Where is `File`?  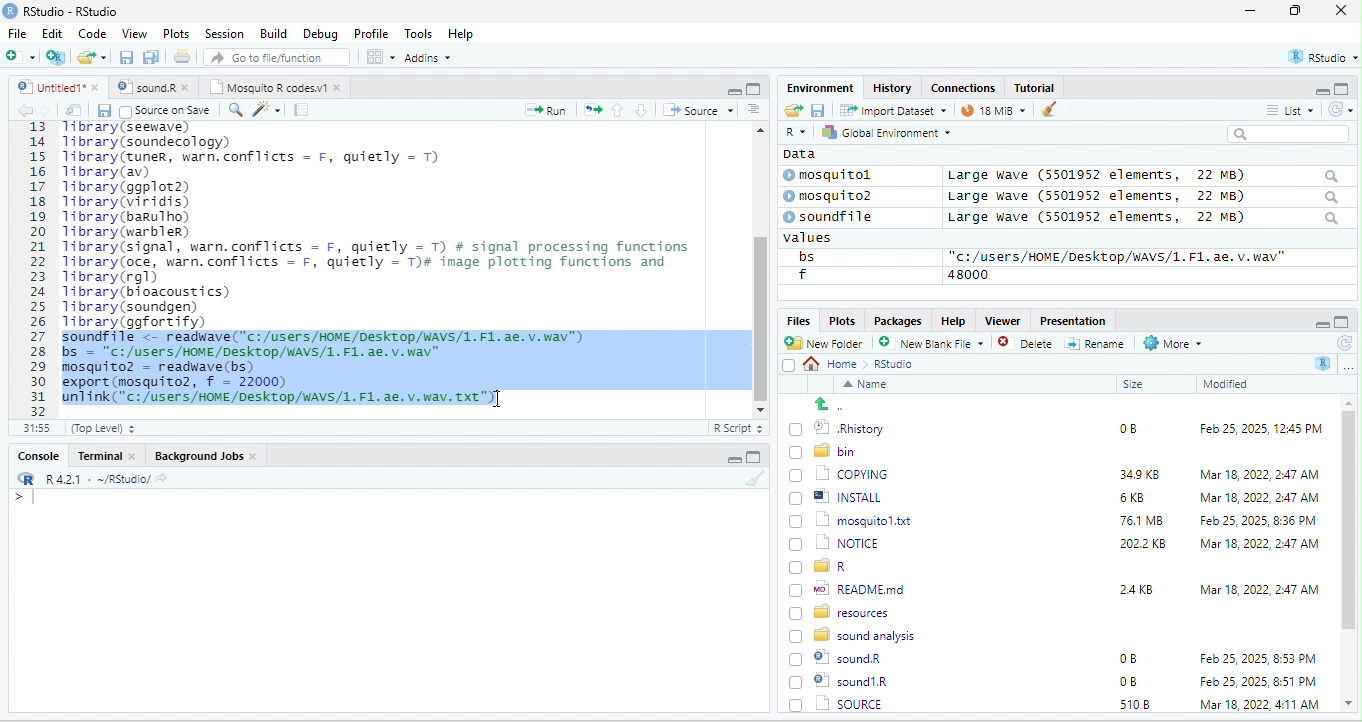 File is located at coordinates (17, 33).